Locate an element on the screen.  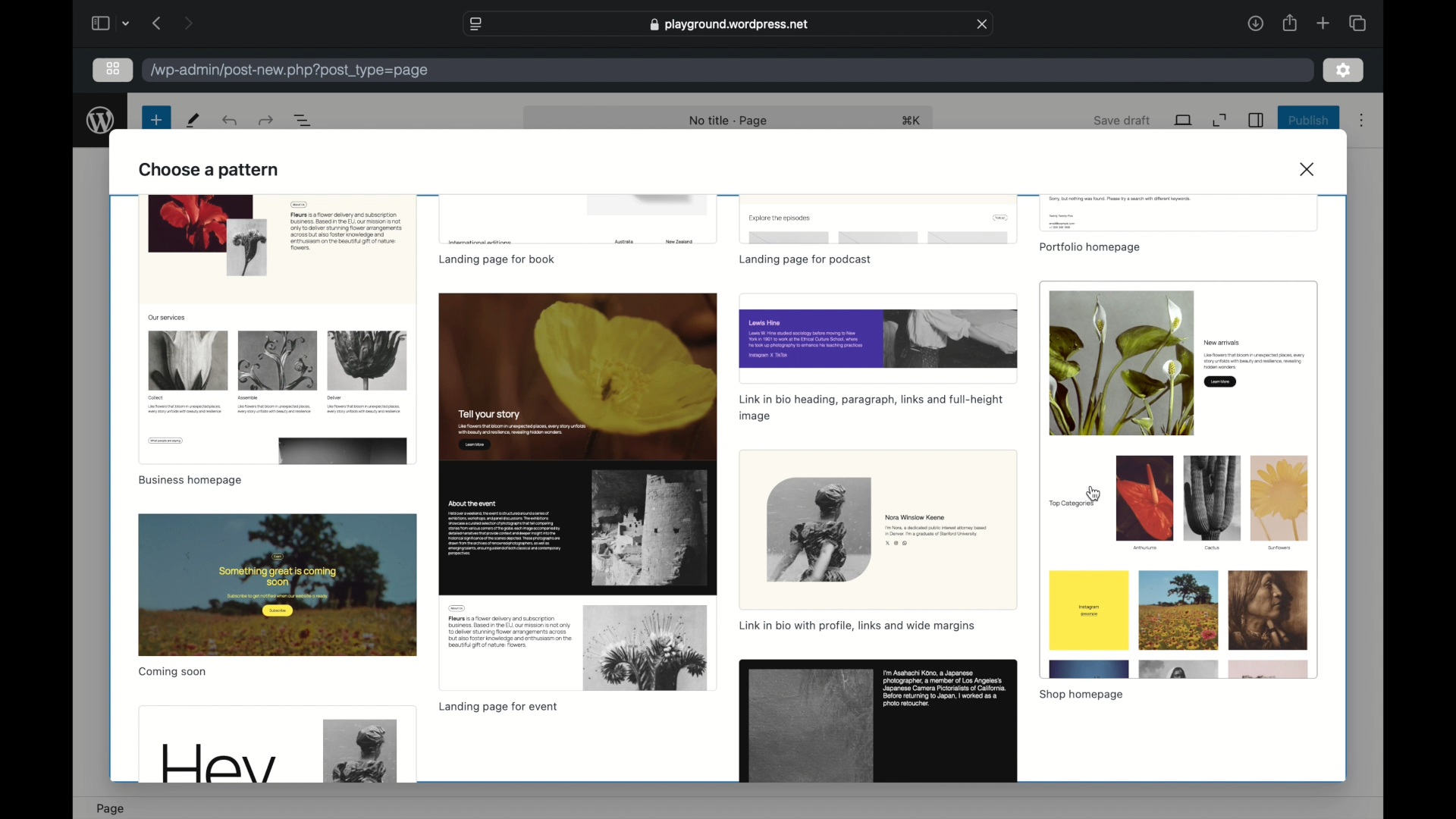
save draft is located at coordinates (1122, 120).